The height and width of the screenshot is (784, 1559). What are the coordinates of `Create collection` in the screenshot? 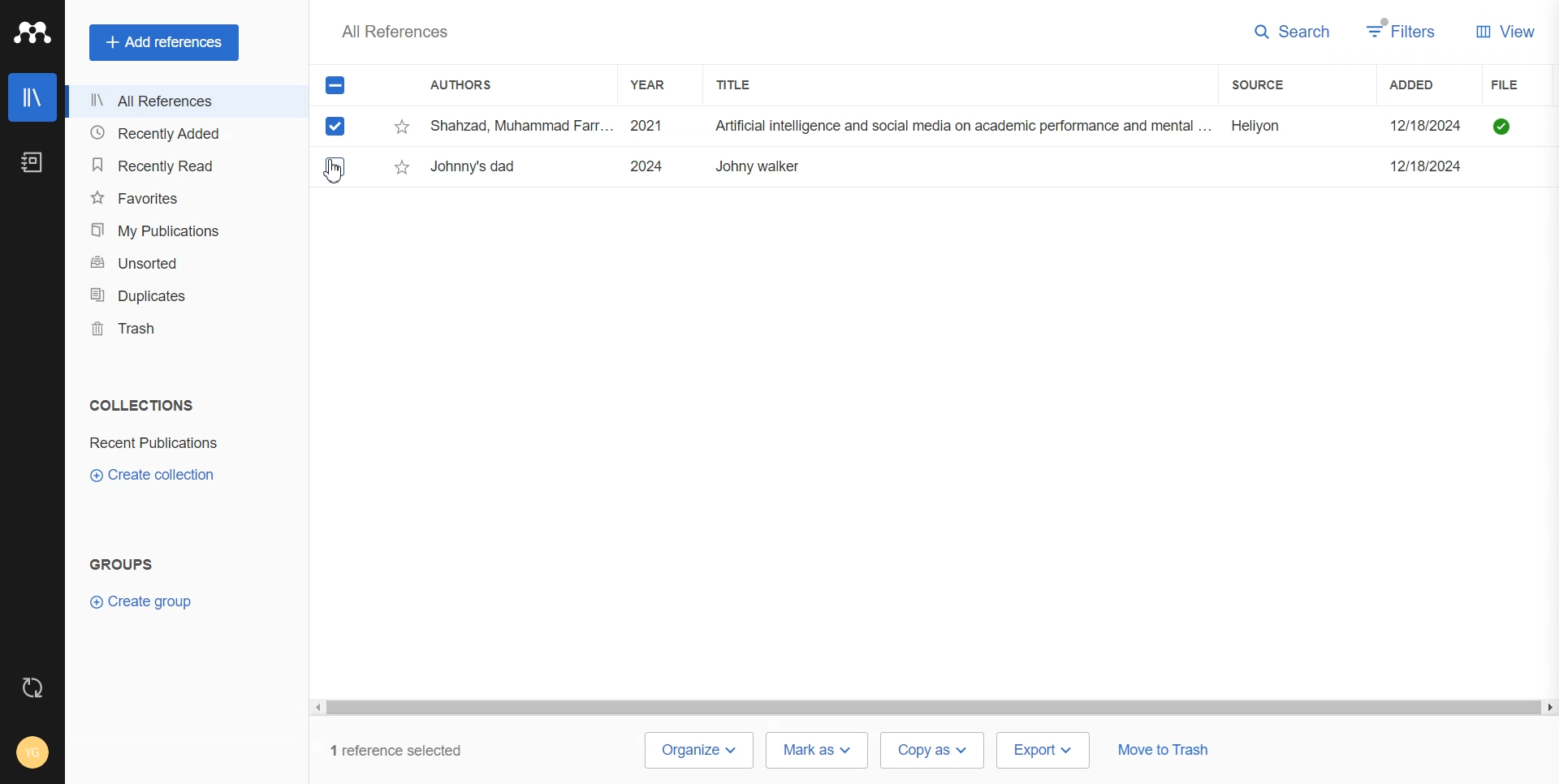 It's located at (153, 474).